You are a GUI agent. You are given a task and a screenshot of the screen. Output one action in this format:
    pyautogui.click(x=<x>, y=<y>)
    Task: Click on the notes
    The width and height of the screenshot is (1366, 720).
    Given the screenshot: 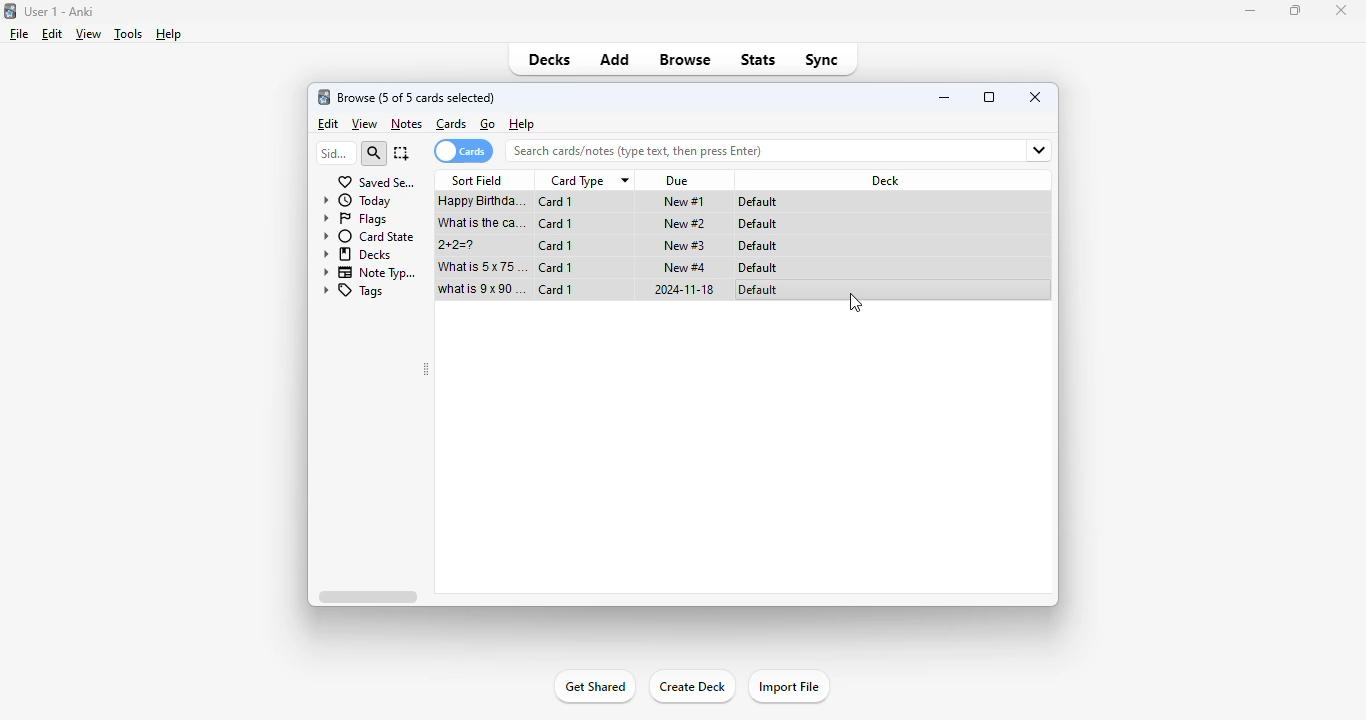 What is the action you would take?
    pyautogui.click(x=406, y=125)
    